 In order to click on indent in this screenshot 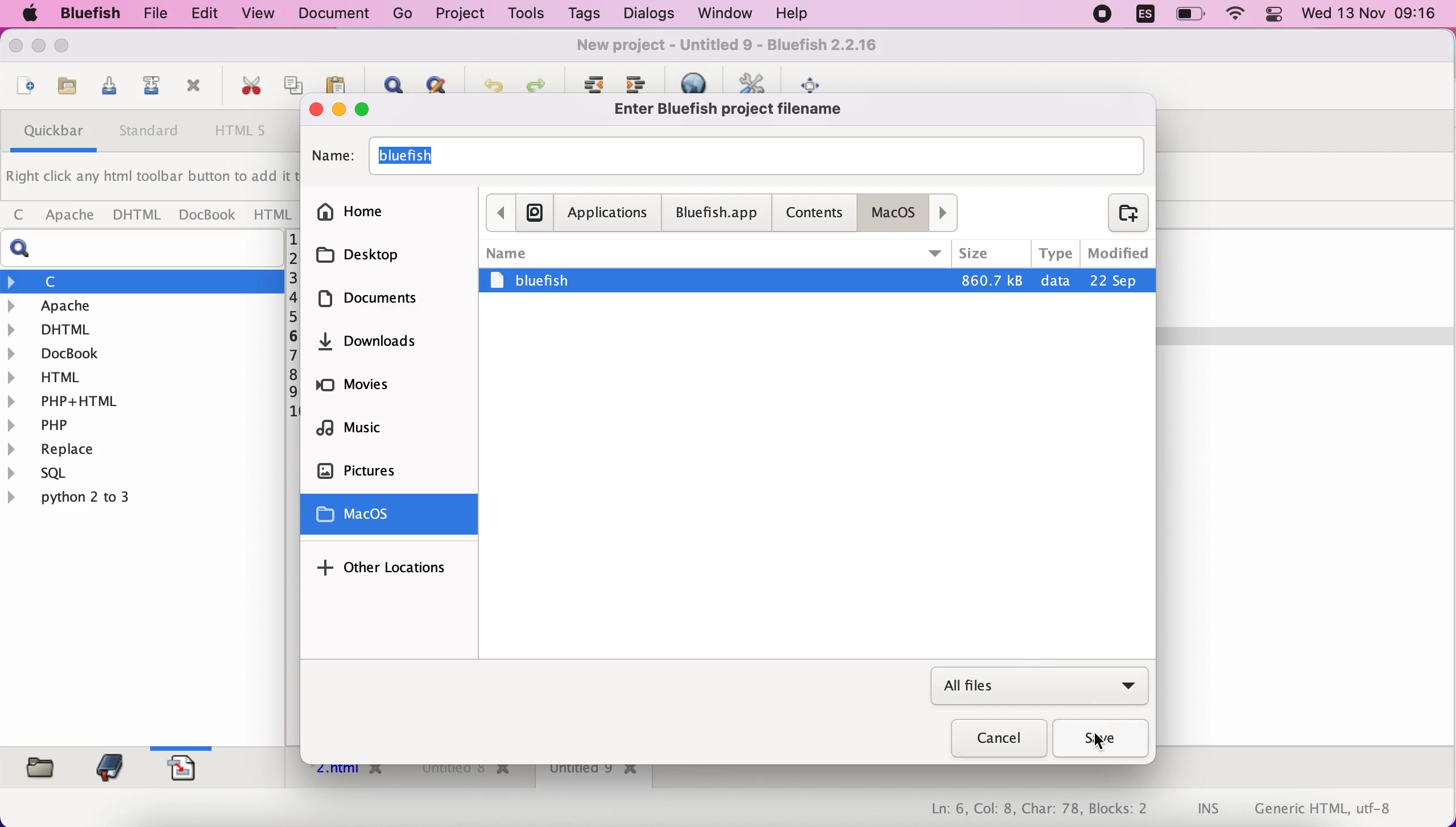, I will do `click(591, 82)`.